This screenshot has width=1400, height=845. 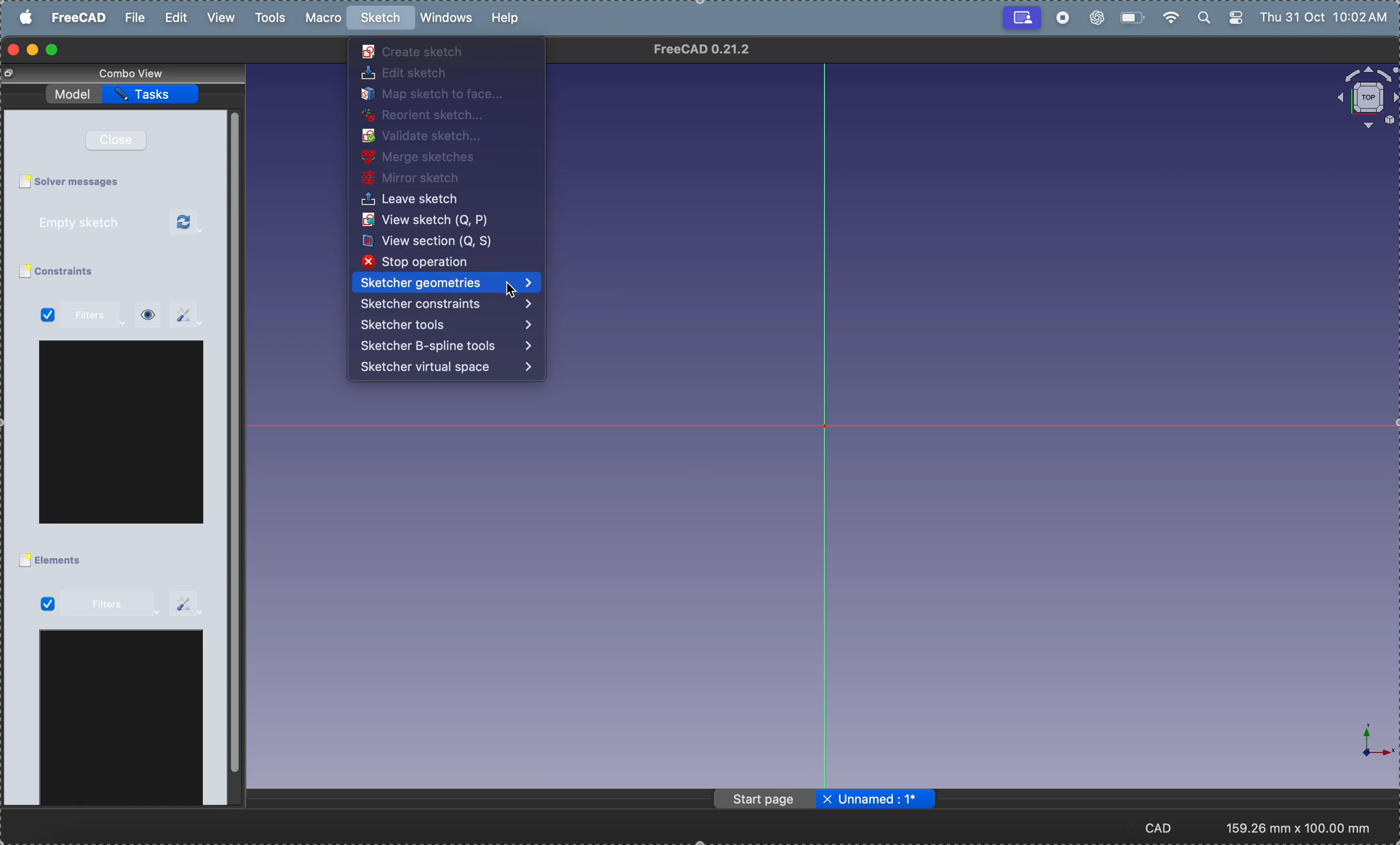 I want to click on mirror sketch, so click(x=432, y=181).